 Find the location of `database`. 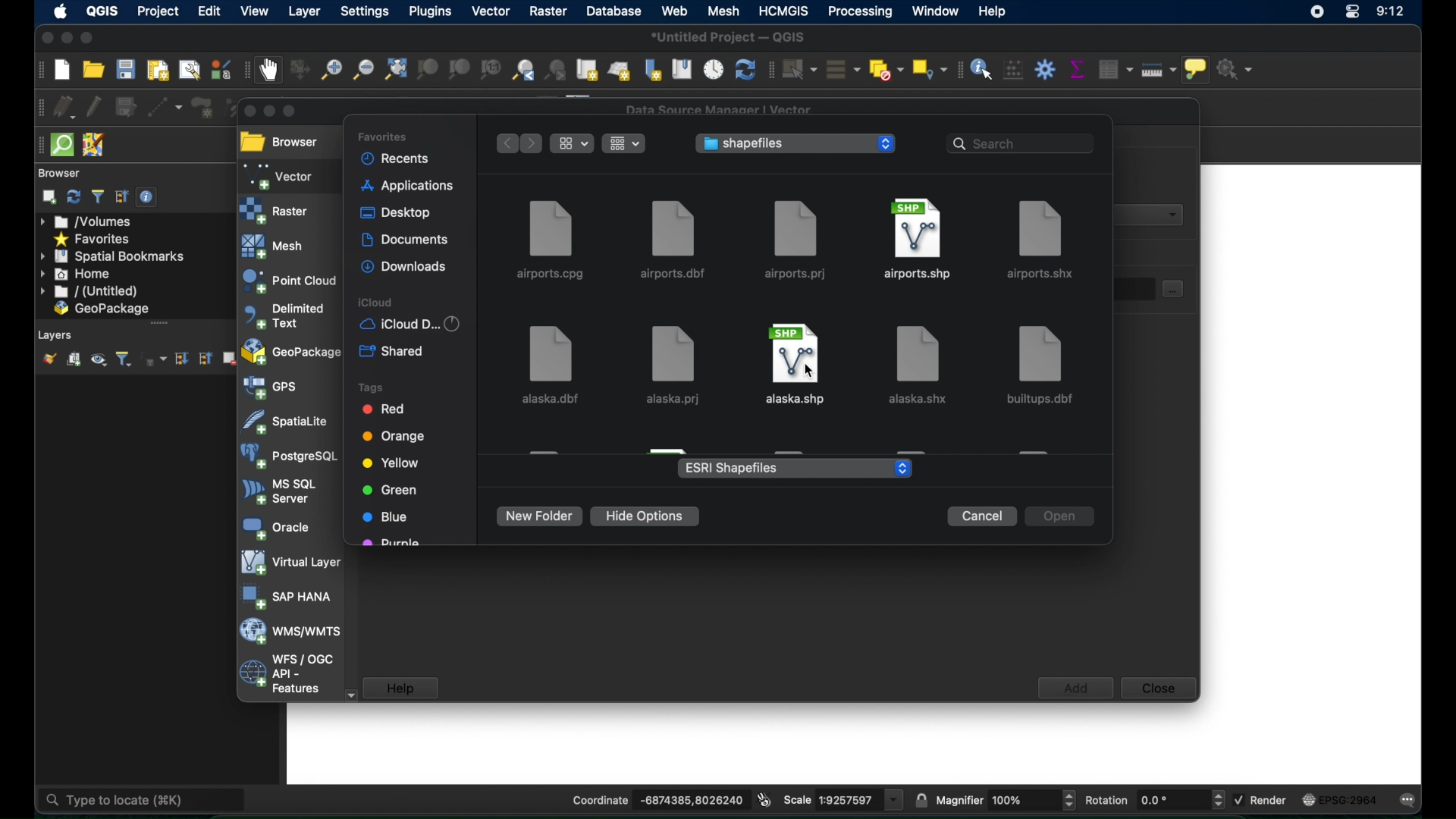

database is located at coordinates (613, 11).